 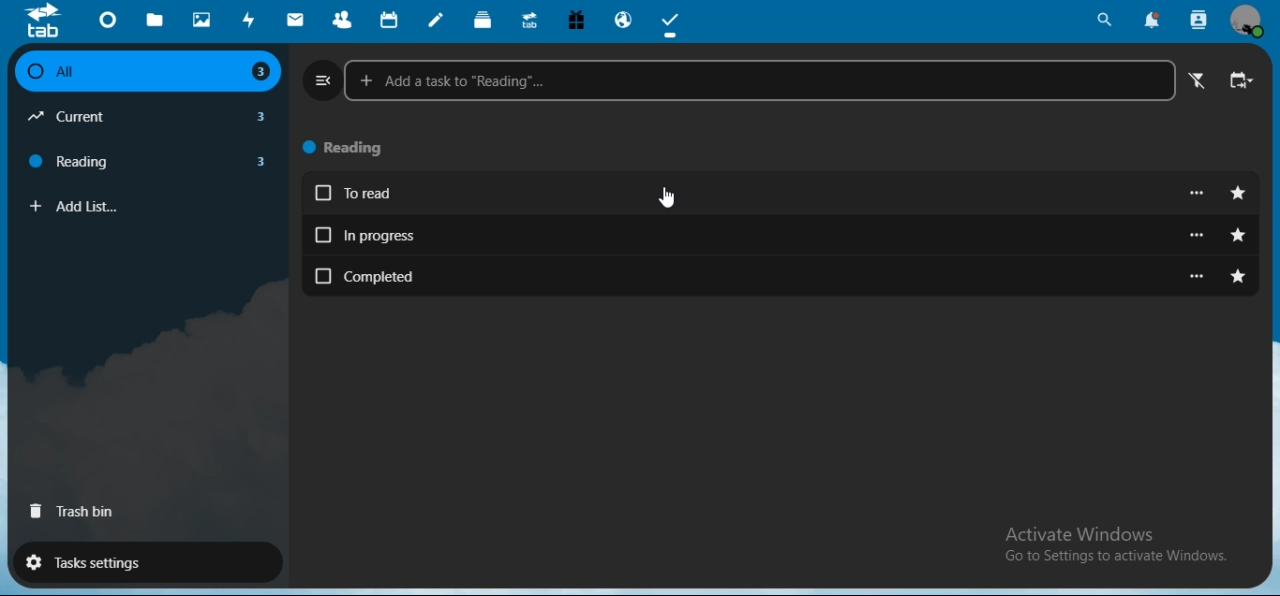 I want to click on cursor, so click(x=665, y=198).